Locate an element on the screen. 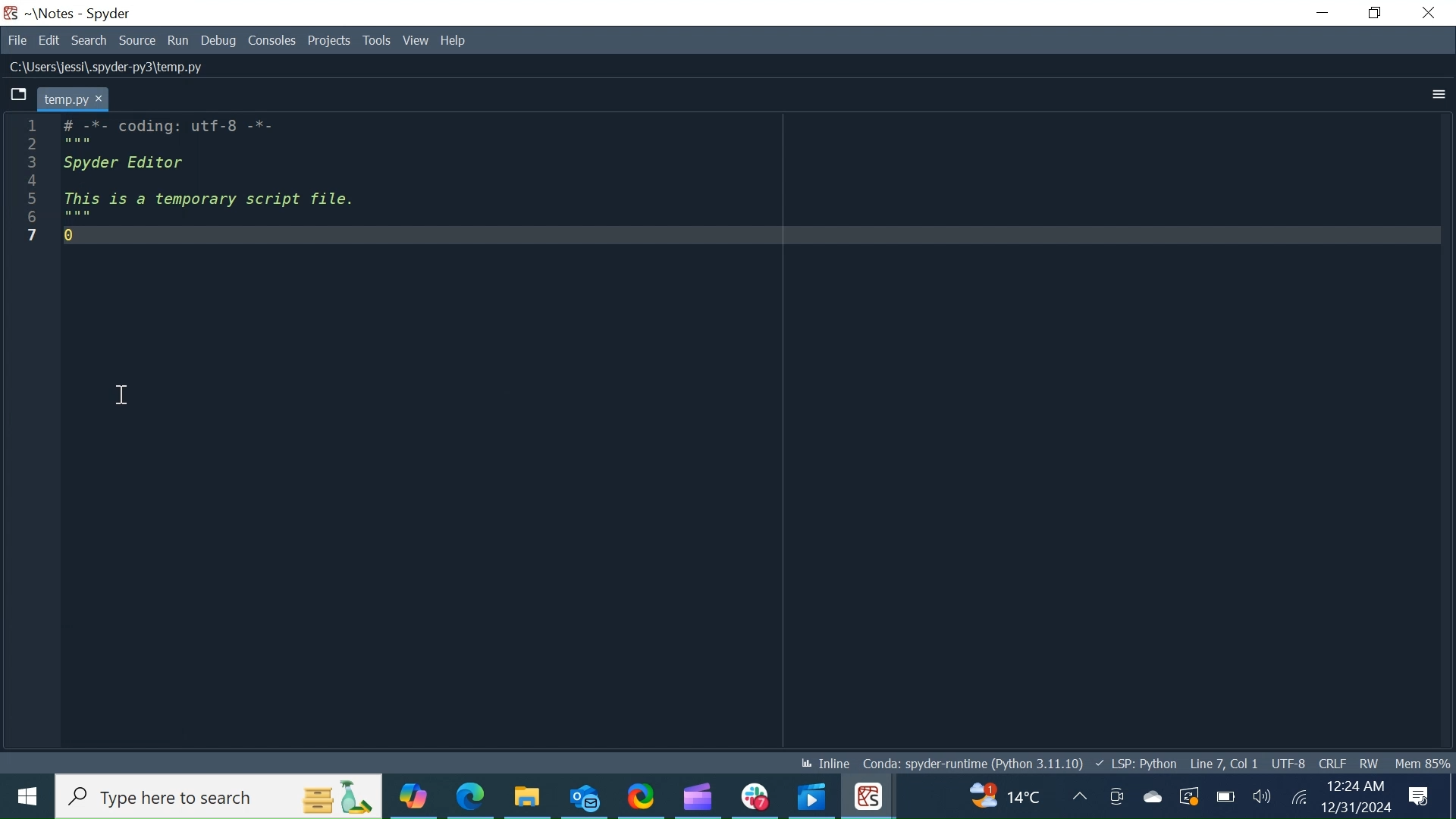 The image size is (1456, 819). View is located at coordinates (415, 42).